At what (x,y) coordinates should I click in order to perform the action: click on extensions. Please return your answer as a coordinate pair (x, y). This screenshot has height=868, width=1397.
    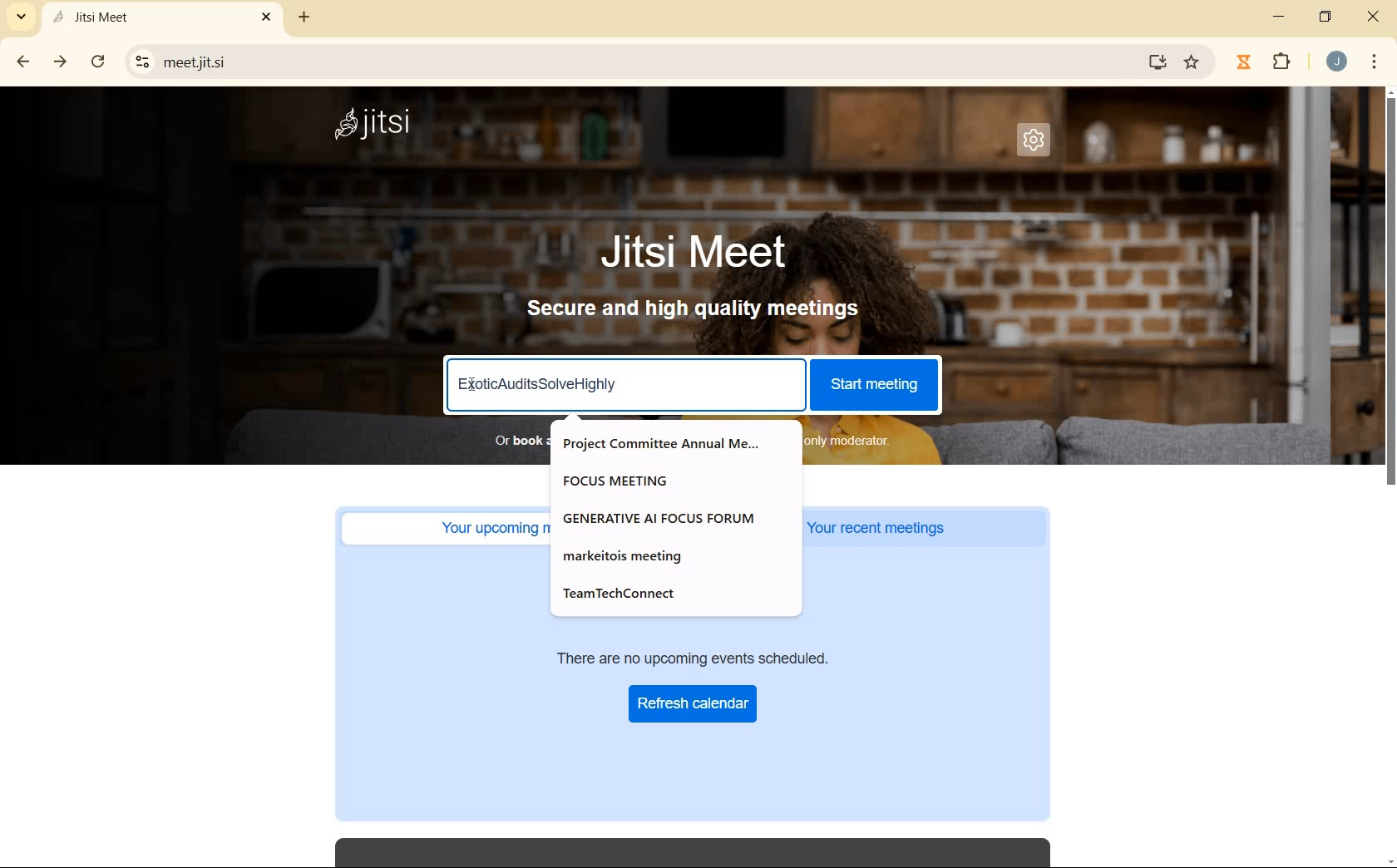
    Looking at the image, I should click on (1281, 62).